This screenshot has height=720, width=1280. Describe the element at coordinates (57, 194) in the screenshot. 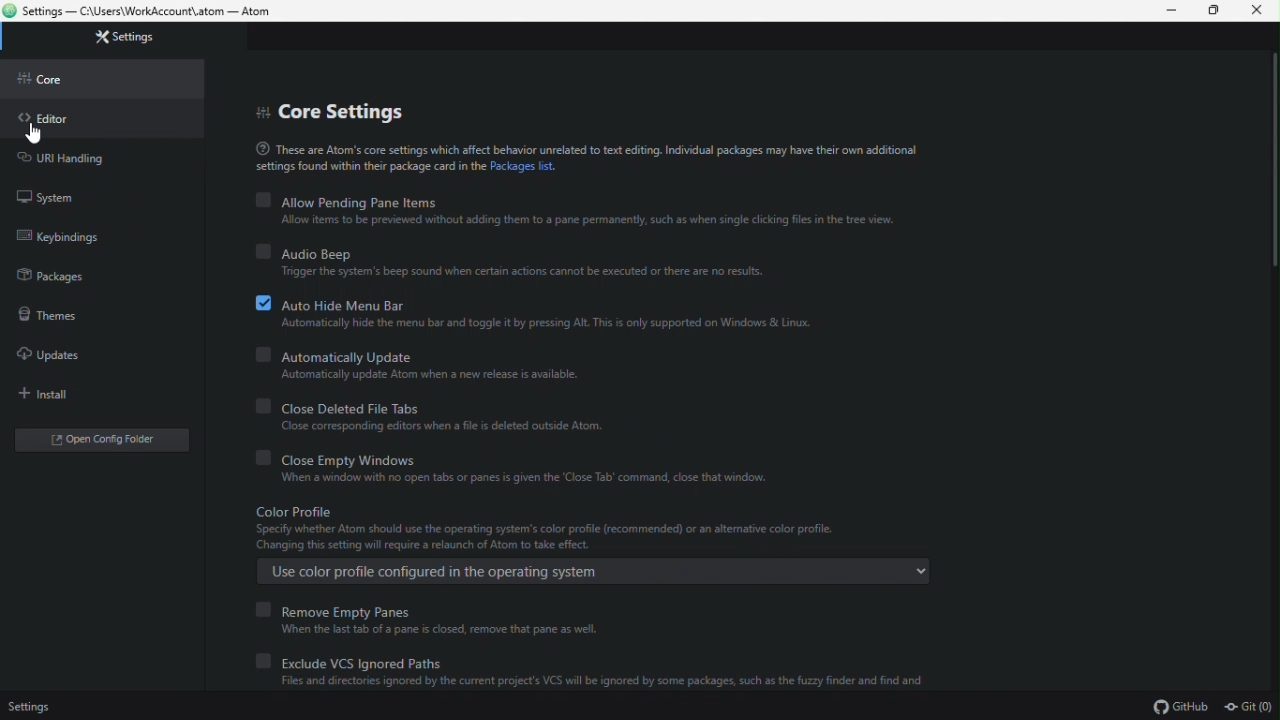

I see `system` at that location.